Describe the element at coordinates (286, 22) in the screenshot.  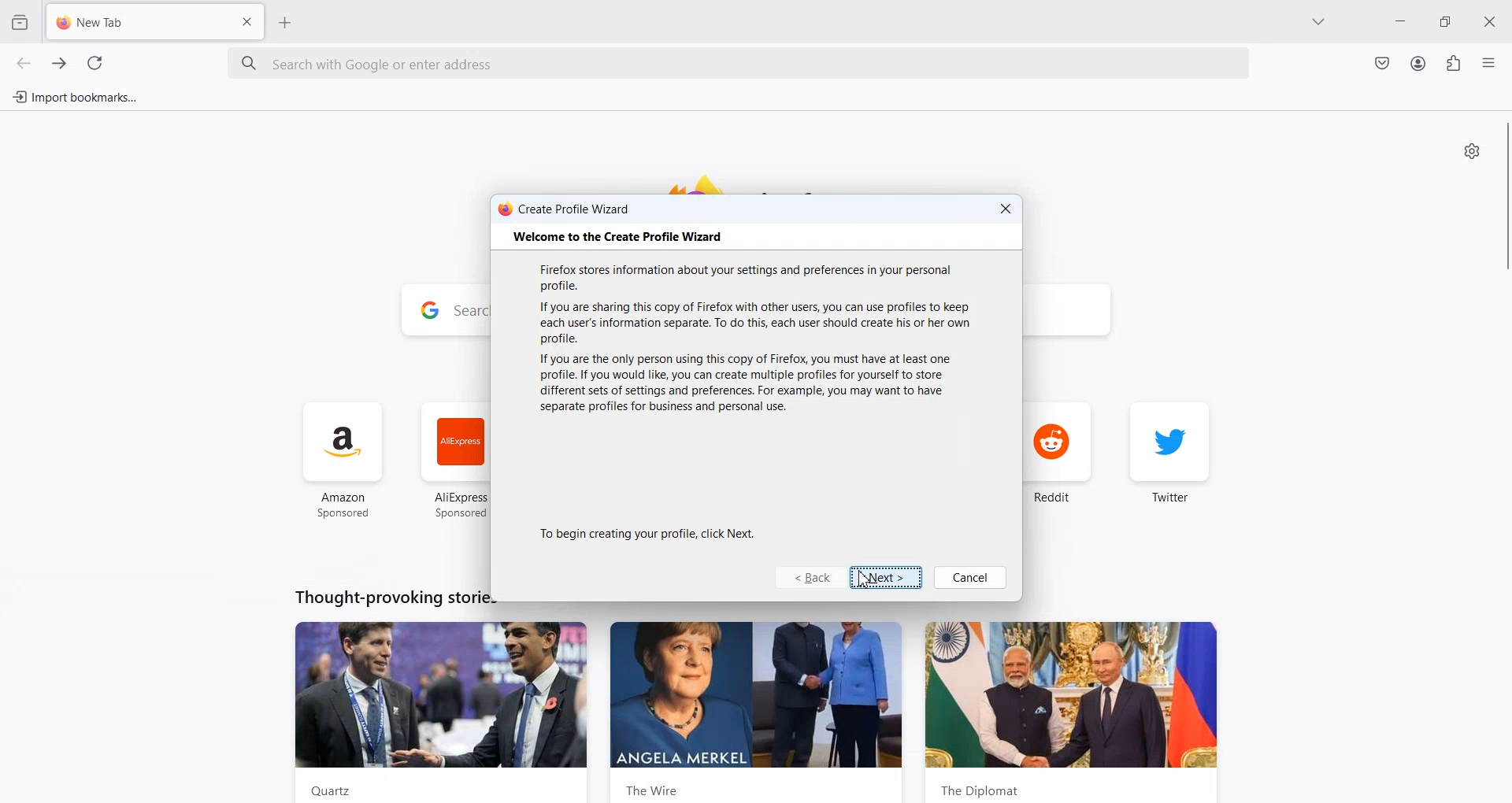
I see `Add New Tab` at that location.